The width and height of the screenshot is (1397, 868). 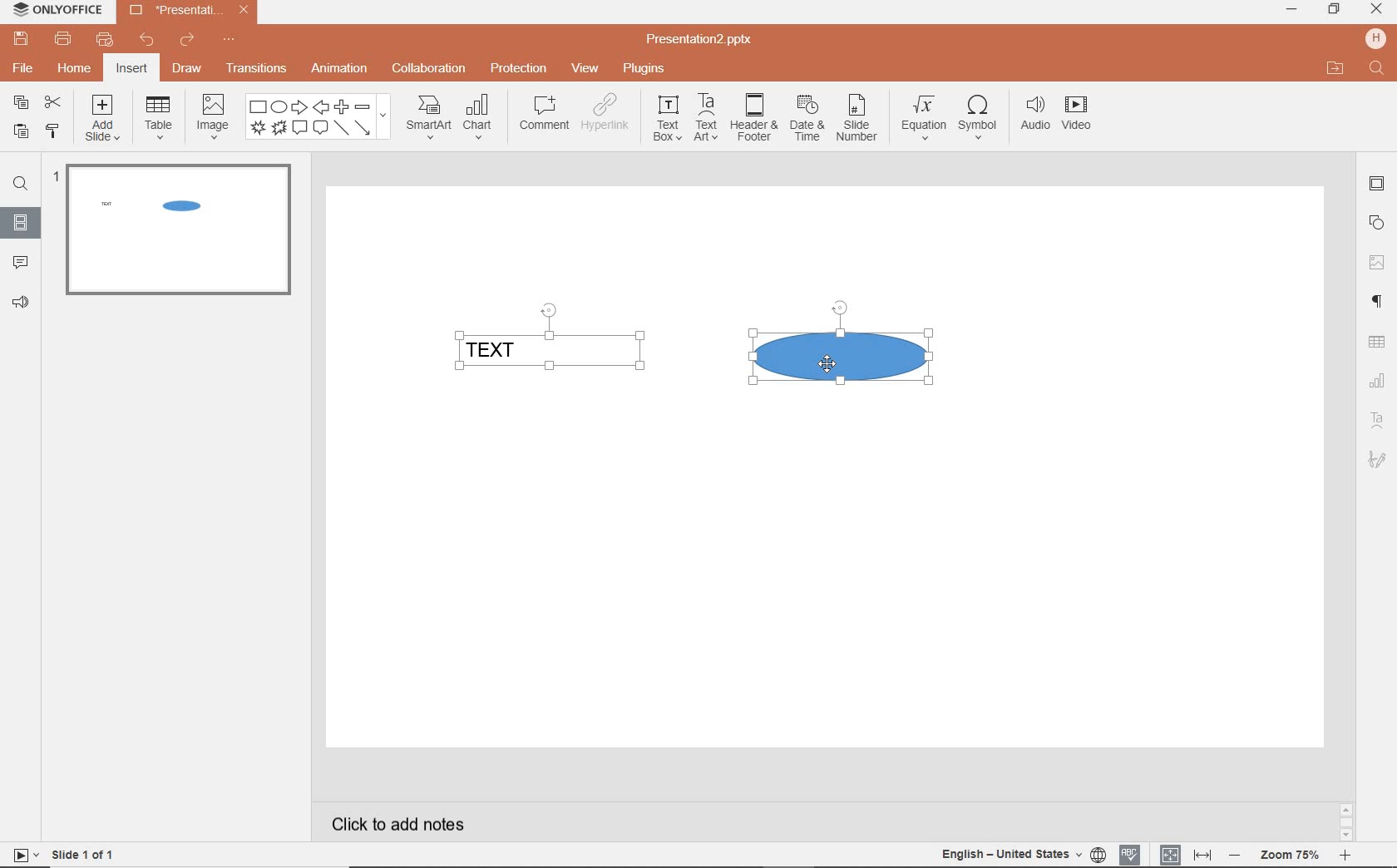 What do you see at coordinates (1291, 10) in the screenshot?
I see `minimize` at bounding box center [1291, 10].